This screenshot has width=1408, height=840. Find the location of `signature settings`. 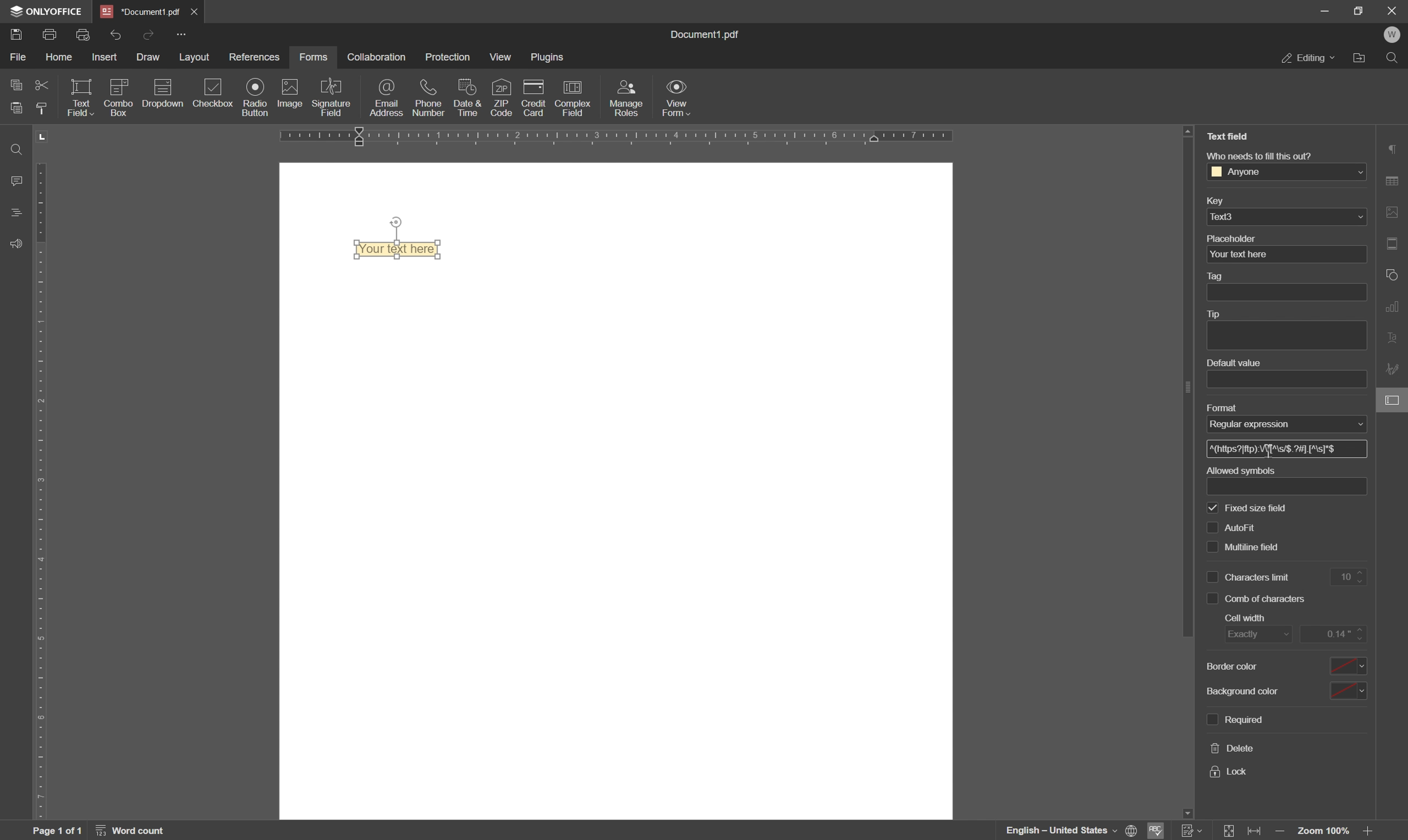

signature settings is located at coordinates (1394, 370).